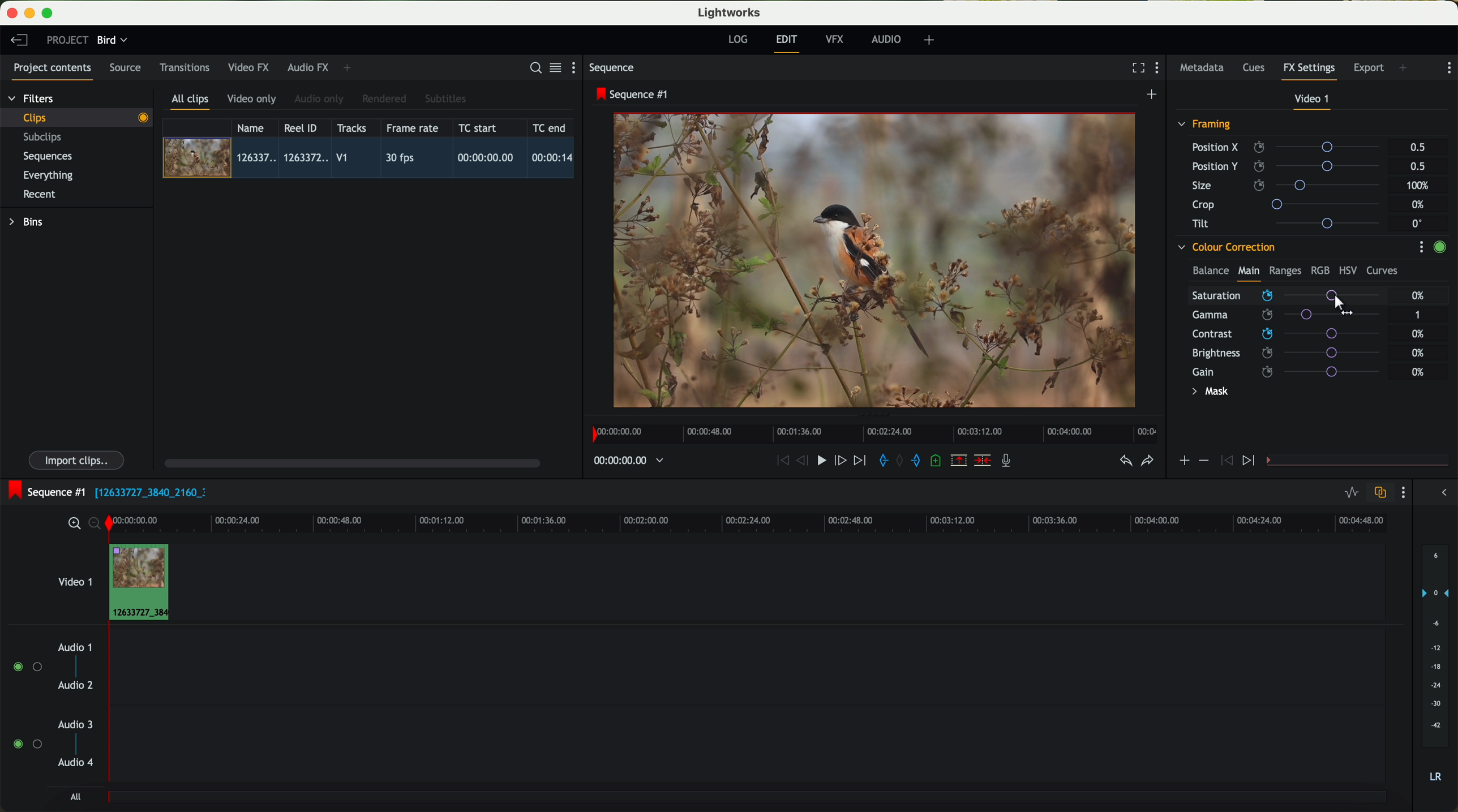  Describe the element at coordinates (12, 13) in the screenshot. I see `close program` at that location.